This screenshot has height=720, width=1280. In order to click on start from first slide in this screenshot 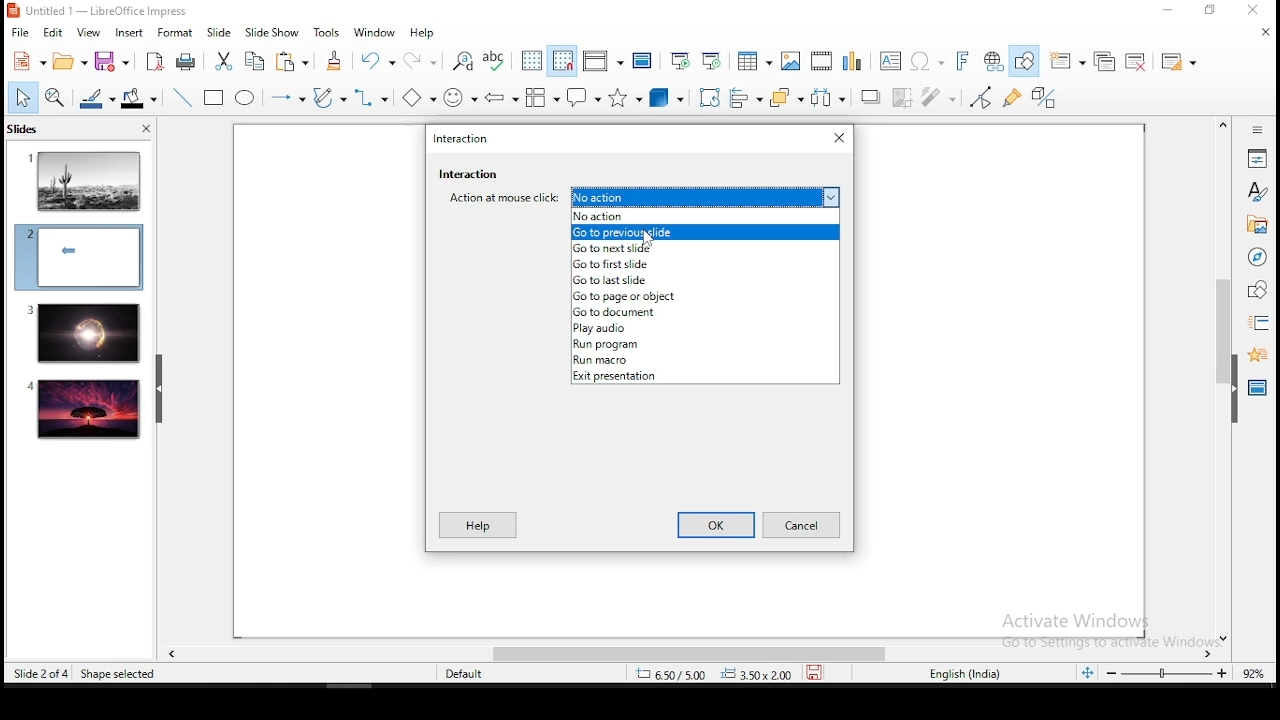, I will do `click(680, 61)`.